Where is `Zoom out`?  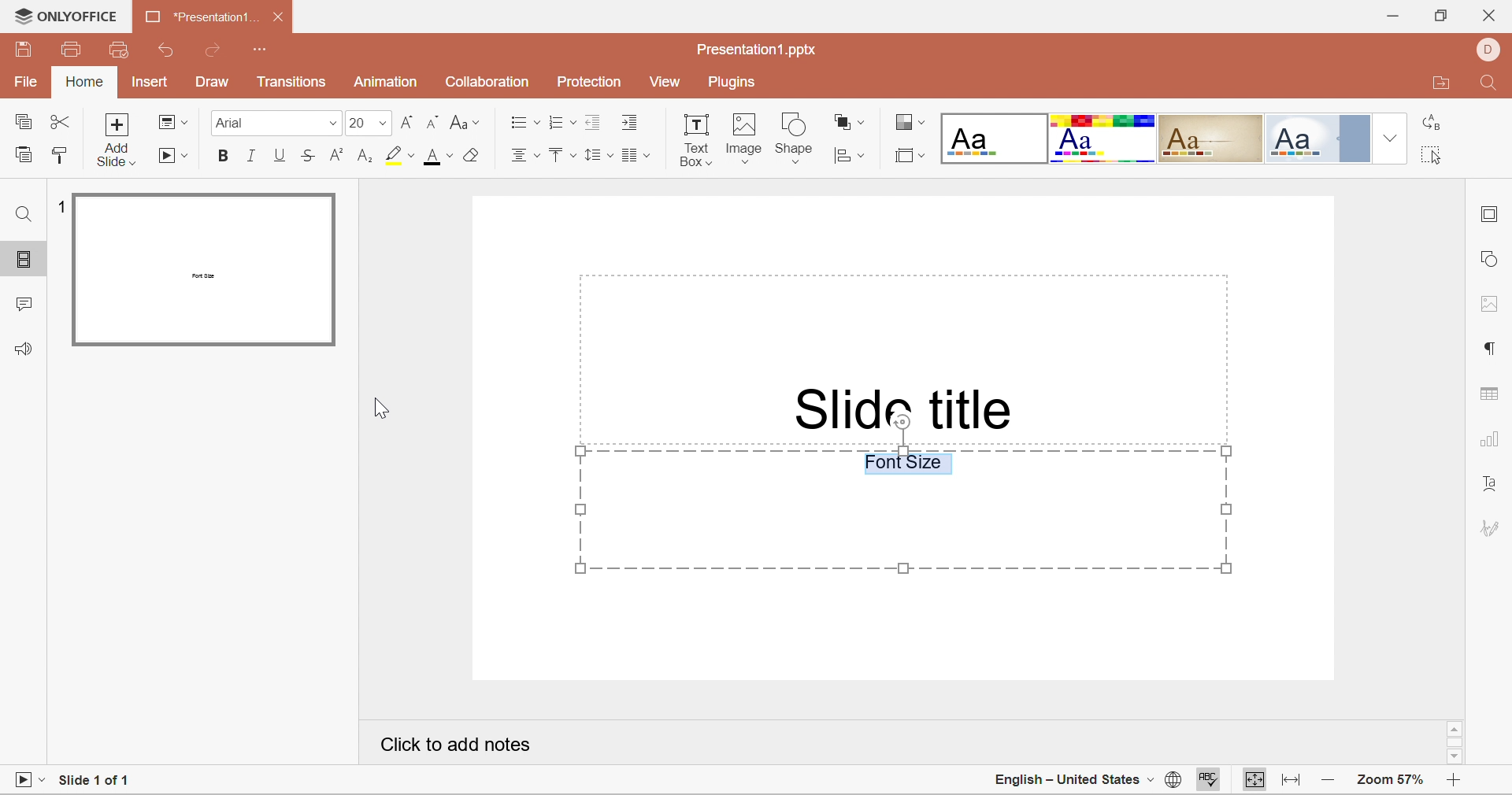
Zoom out is located at coordinates (1334, 782).